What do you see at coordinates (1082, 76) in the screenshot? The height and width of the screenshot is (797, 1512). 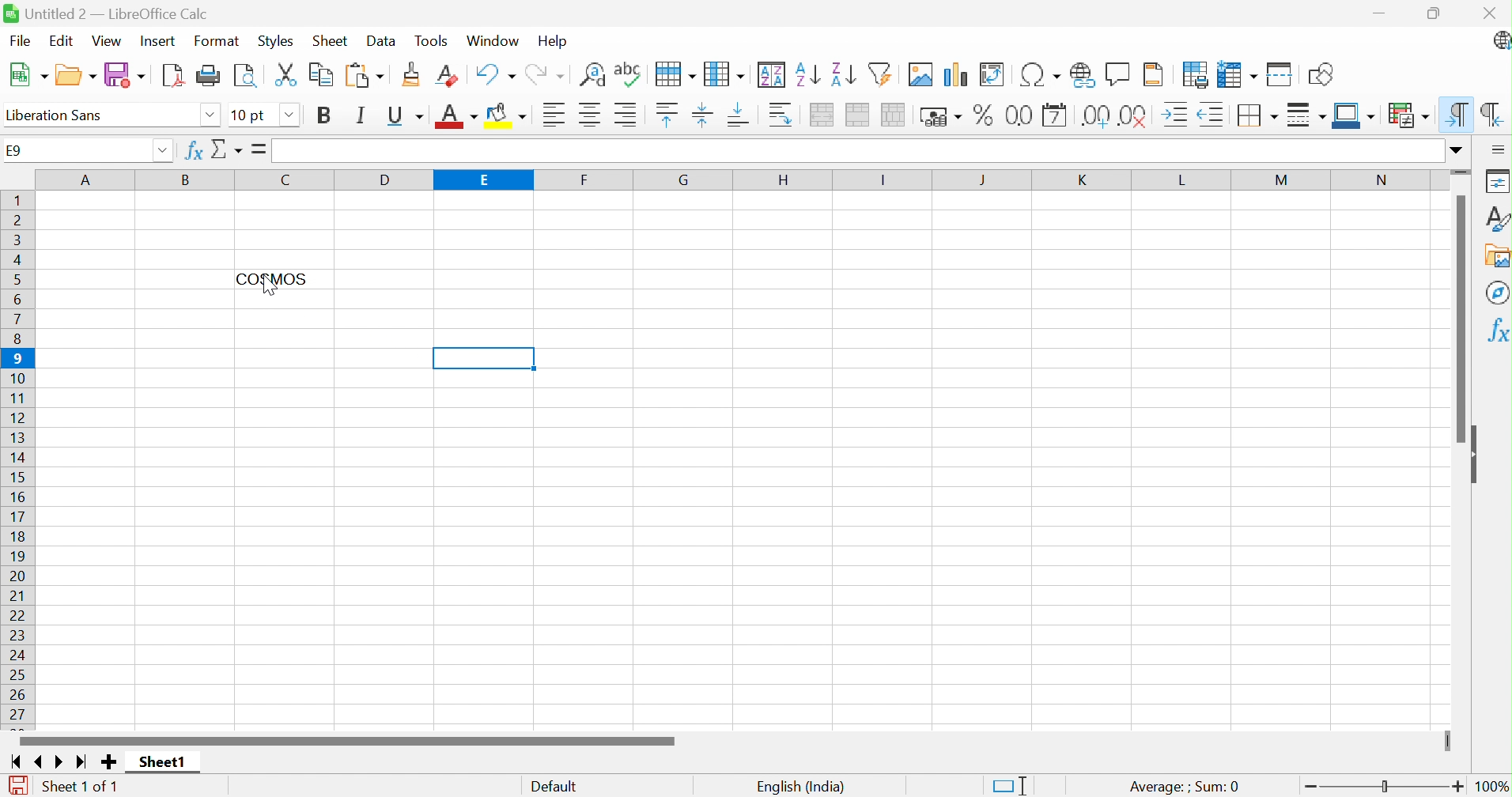 I see `Insert hyperlink` at bounding box center [1082, 76].